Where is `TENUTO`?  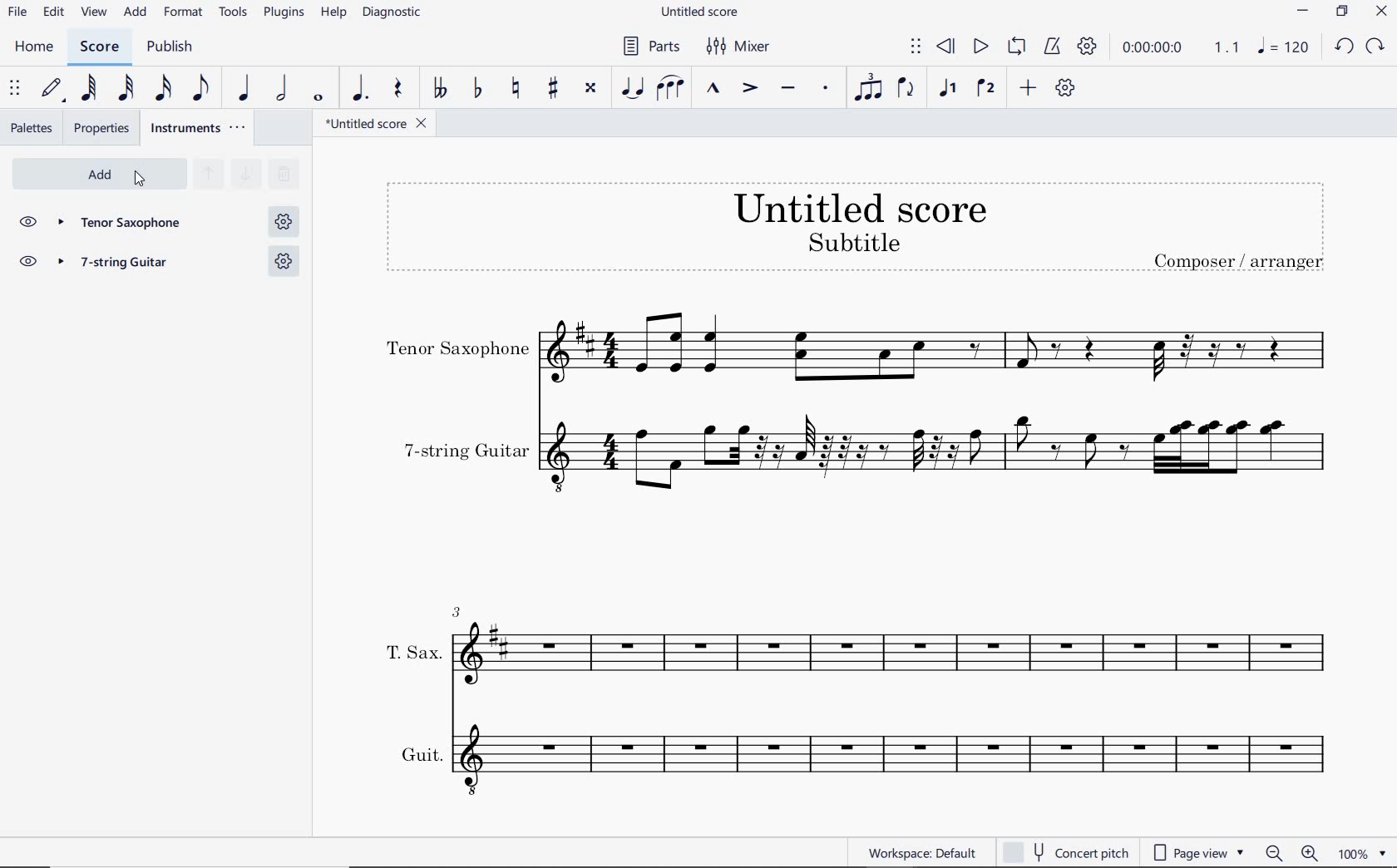 TENUTO is located at coordinates (787, 91).